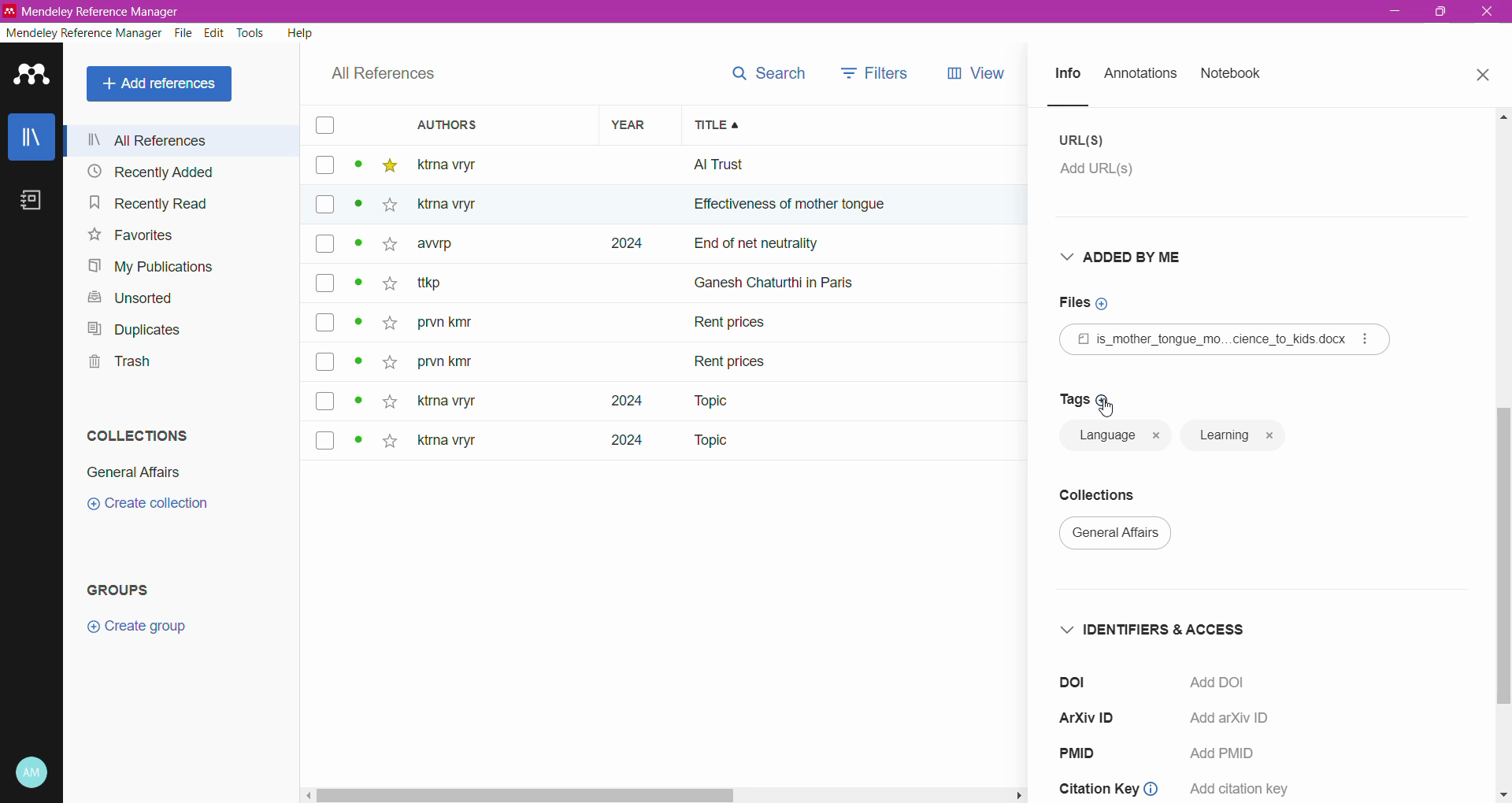  I want to click on Tools, so click(252, 33).